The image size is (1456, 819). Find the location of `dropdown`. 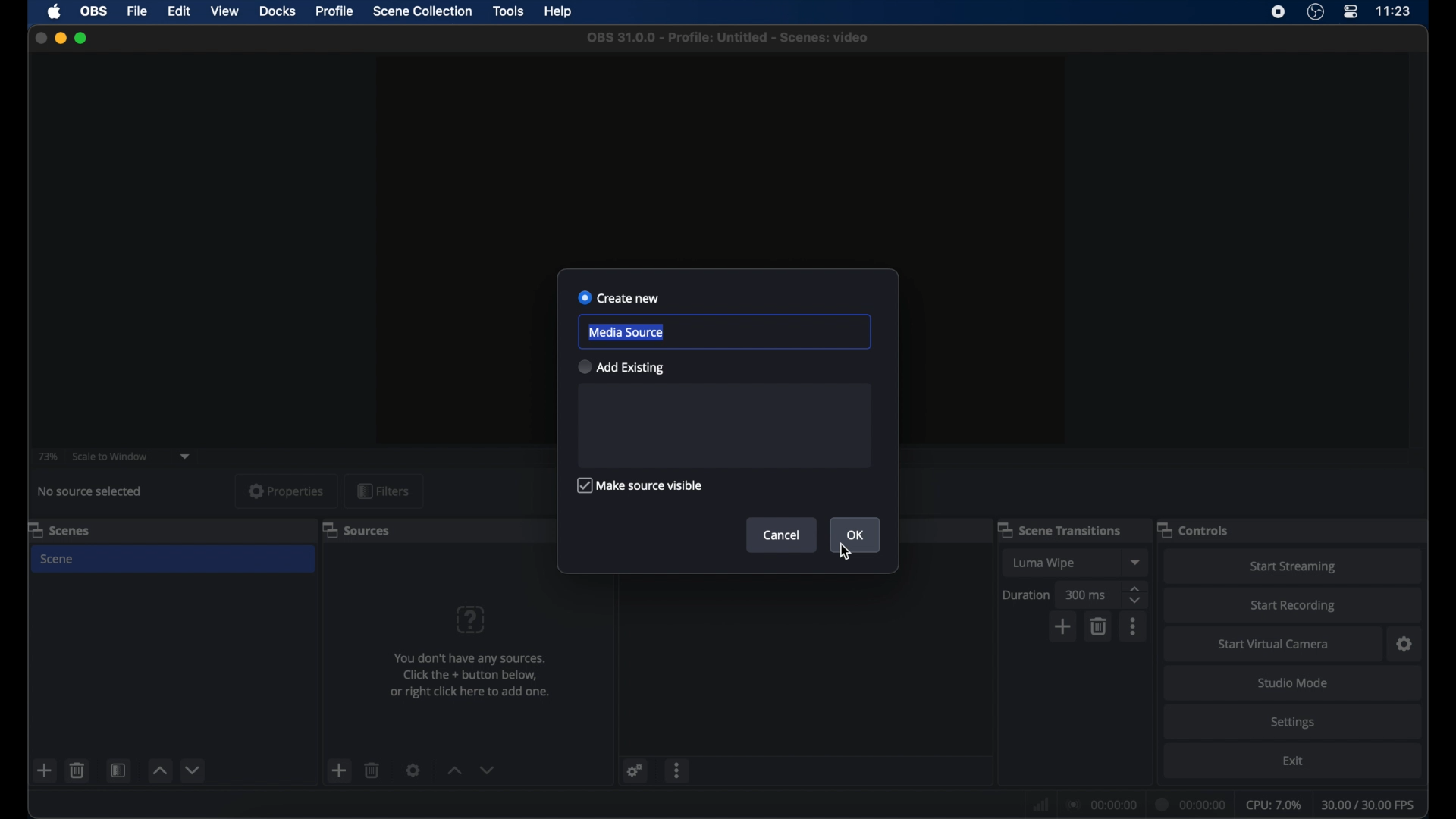

dropdown is located at coordinates (1137, 562).